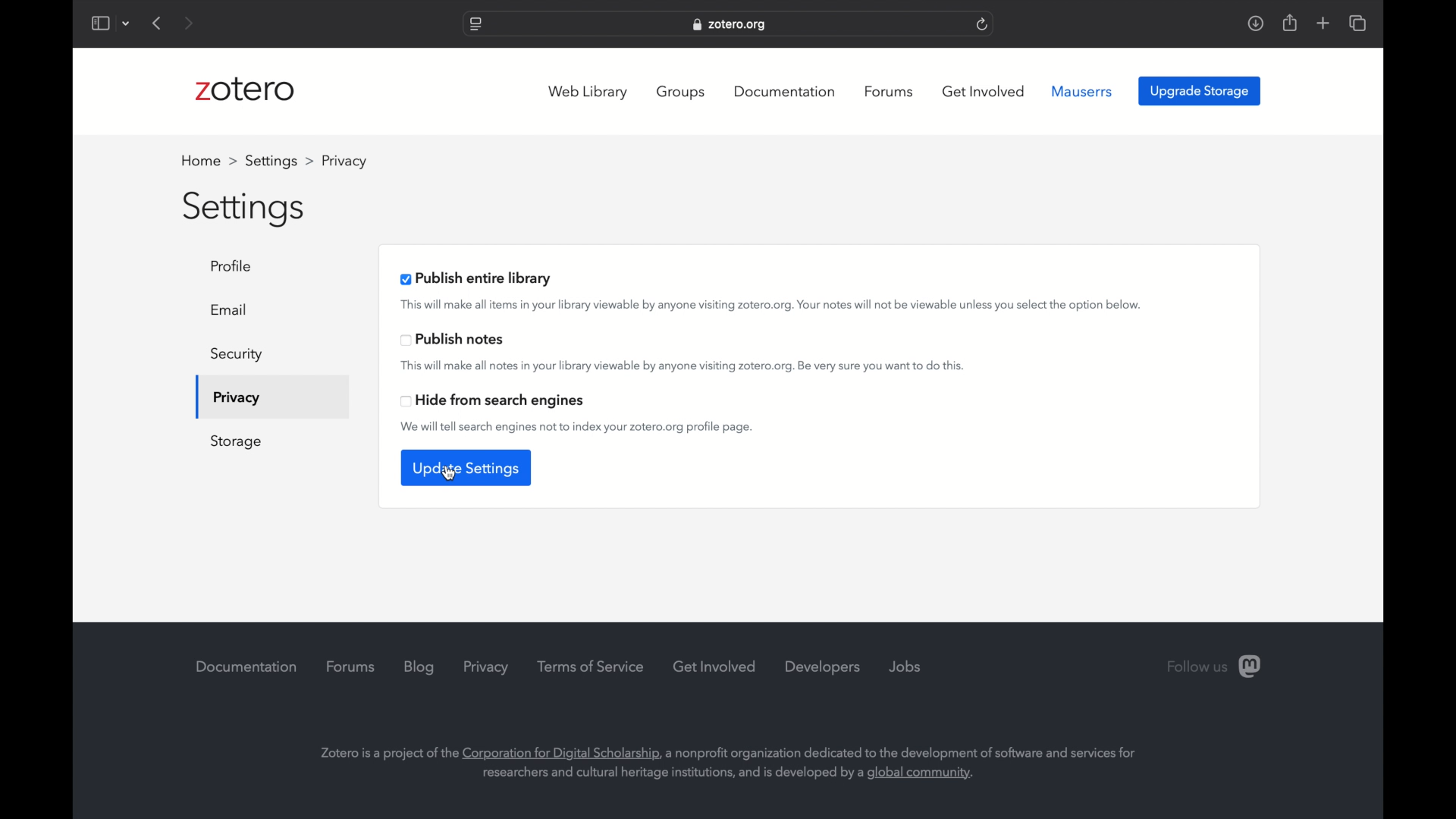 The width and height of the screenshot is (1456, 819). Describe the element at coordinates (578, 427) in the screenshot. I see `we will tell search engines not to index your zotero.org profile page` at that location.